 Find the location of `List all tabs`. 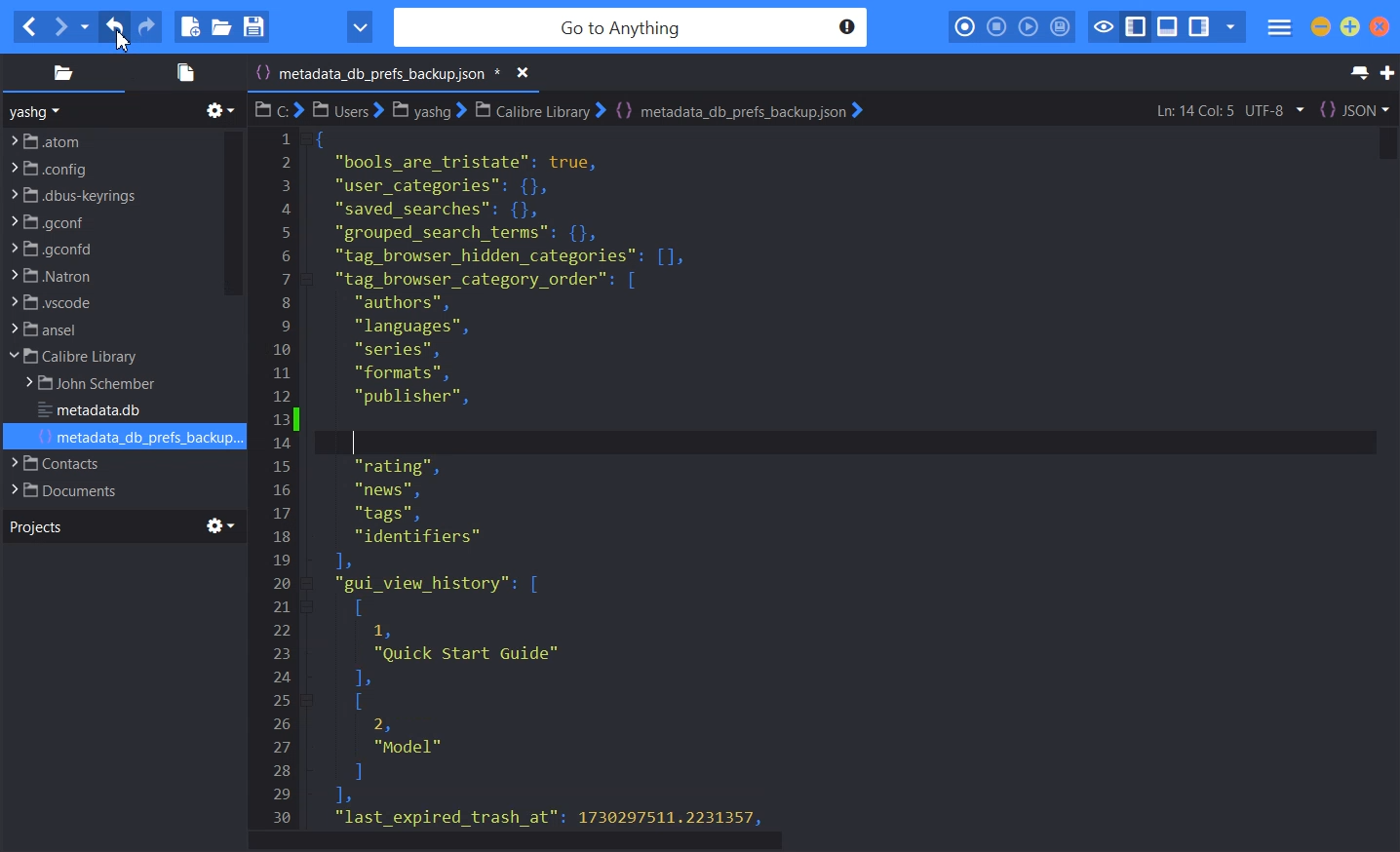

List all tabs is located at coordinates (1357, 73).